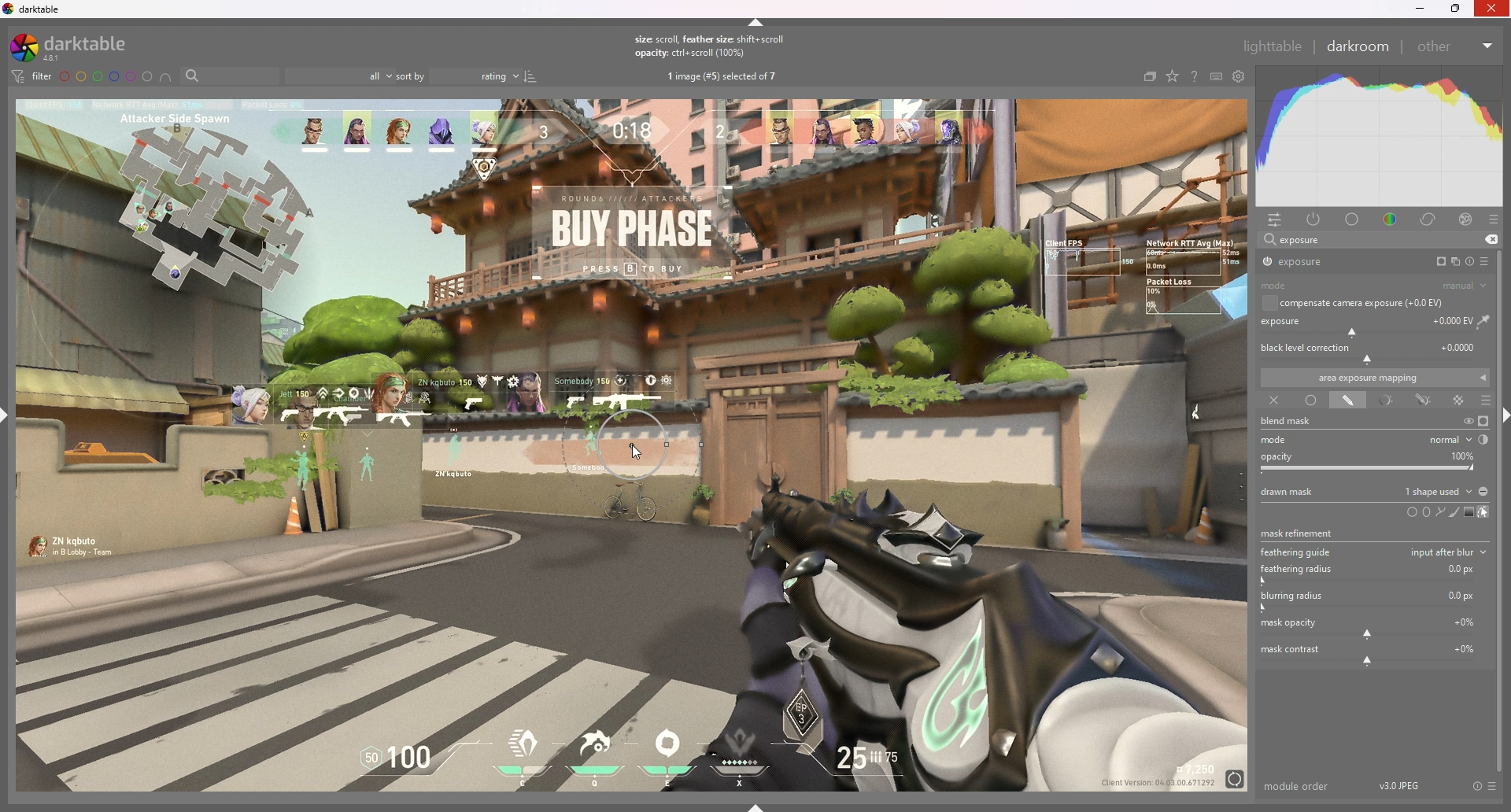 The height and width of the screenshot is (812, 1511). I want to click on lighttable, so click(1273, 46).